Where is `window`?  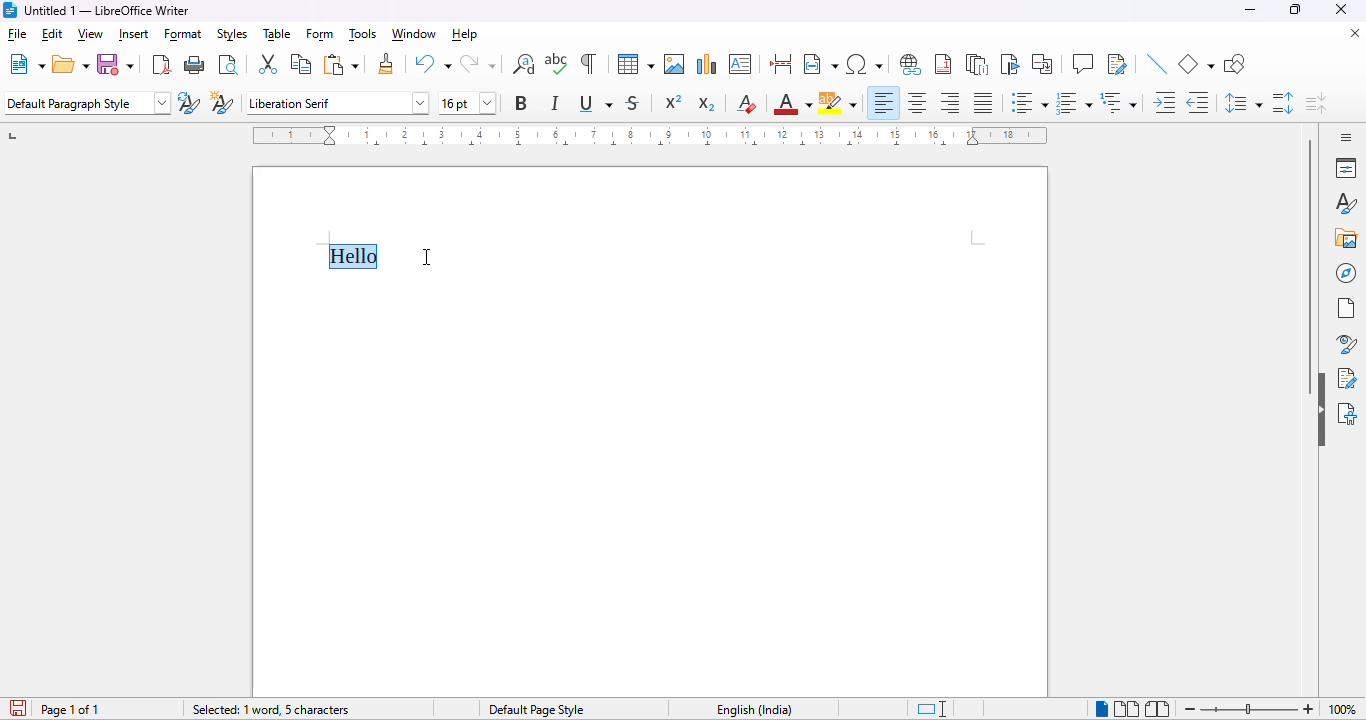 window is located at coordinates (415, 35).